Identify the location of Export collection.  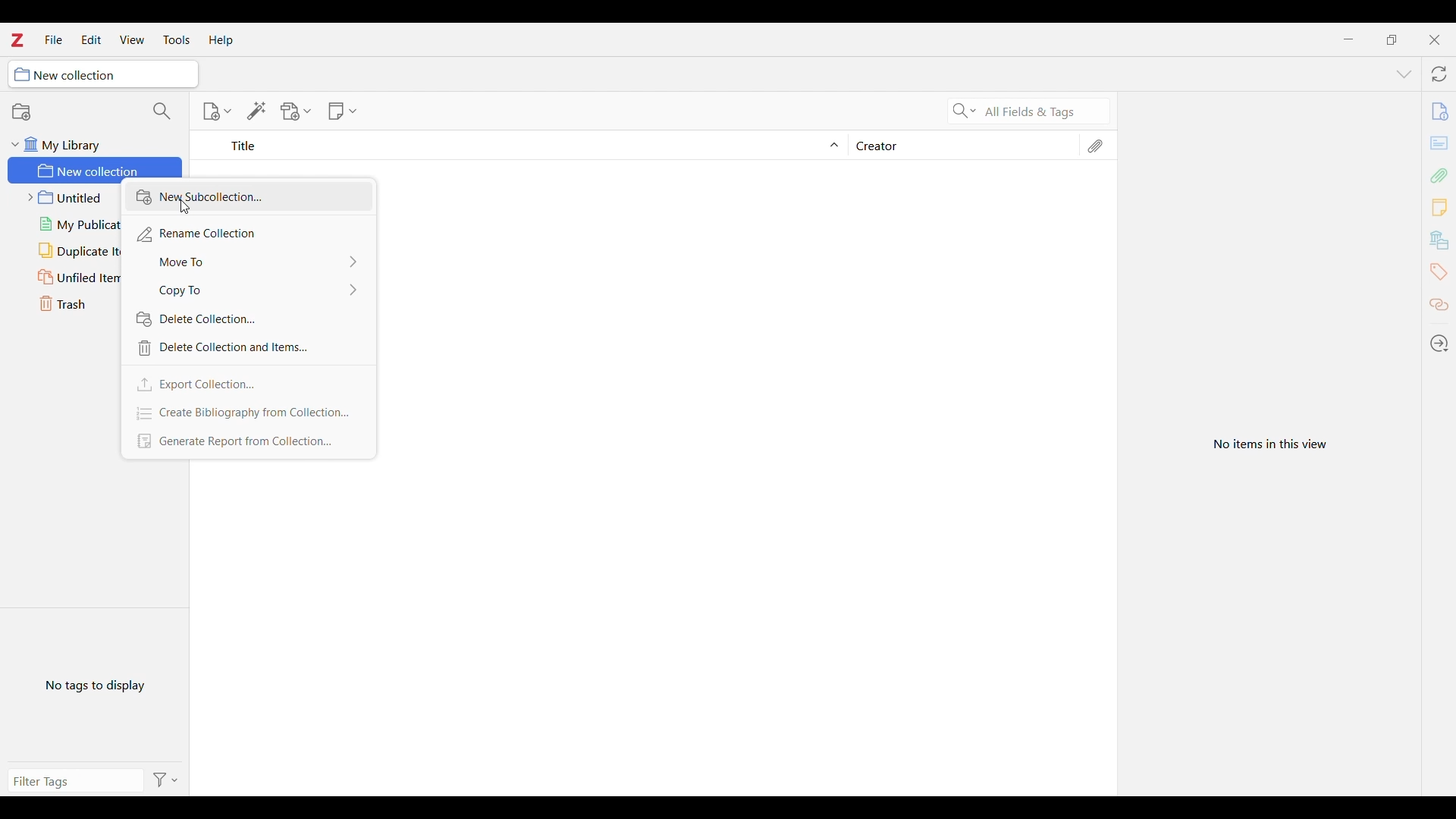
(246, 383).